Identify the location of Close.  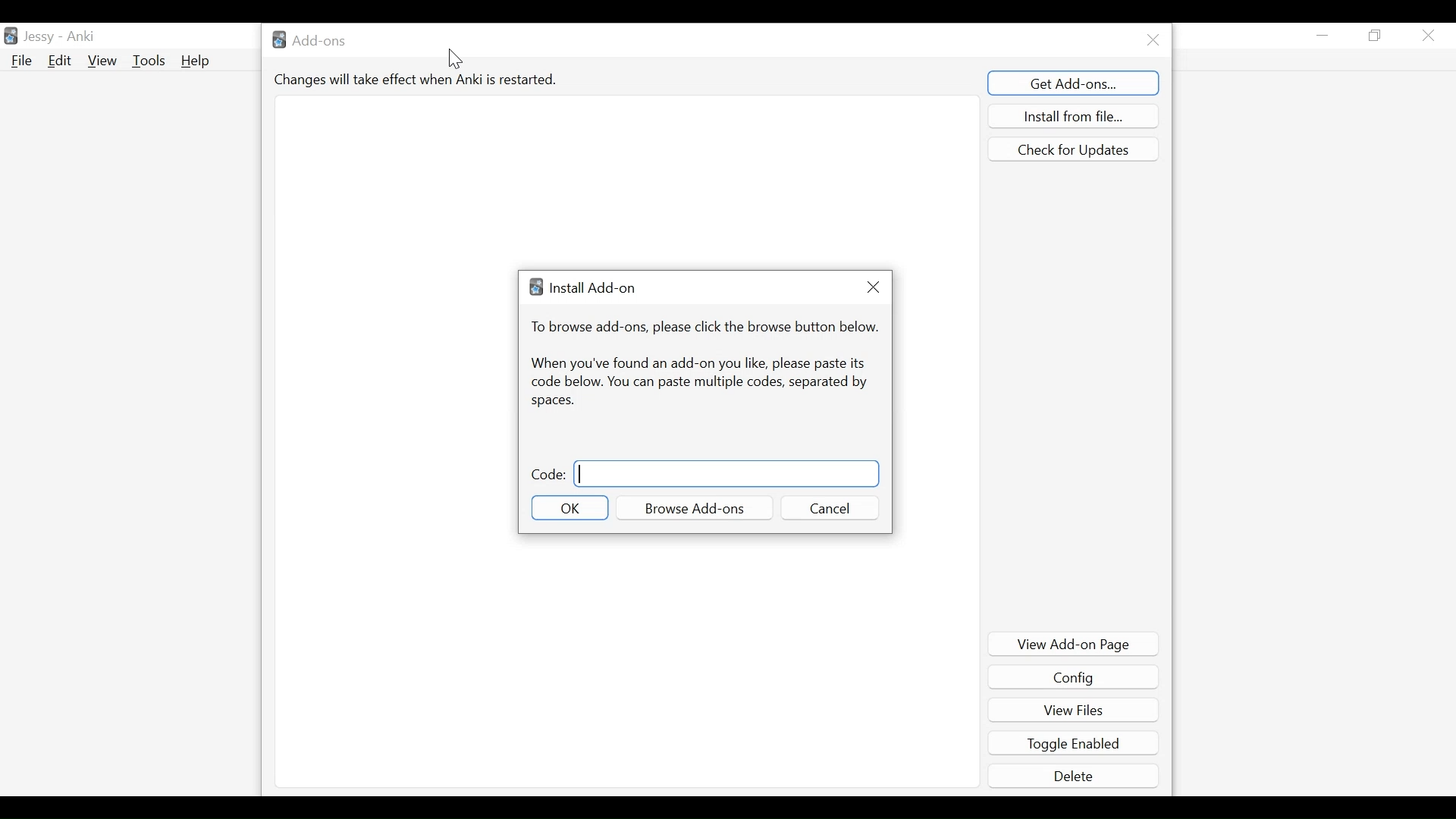
(1428, 36).